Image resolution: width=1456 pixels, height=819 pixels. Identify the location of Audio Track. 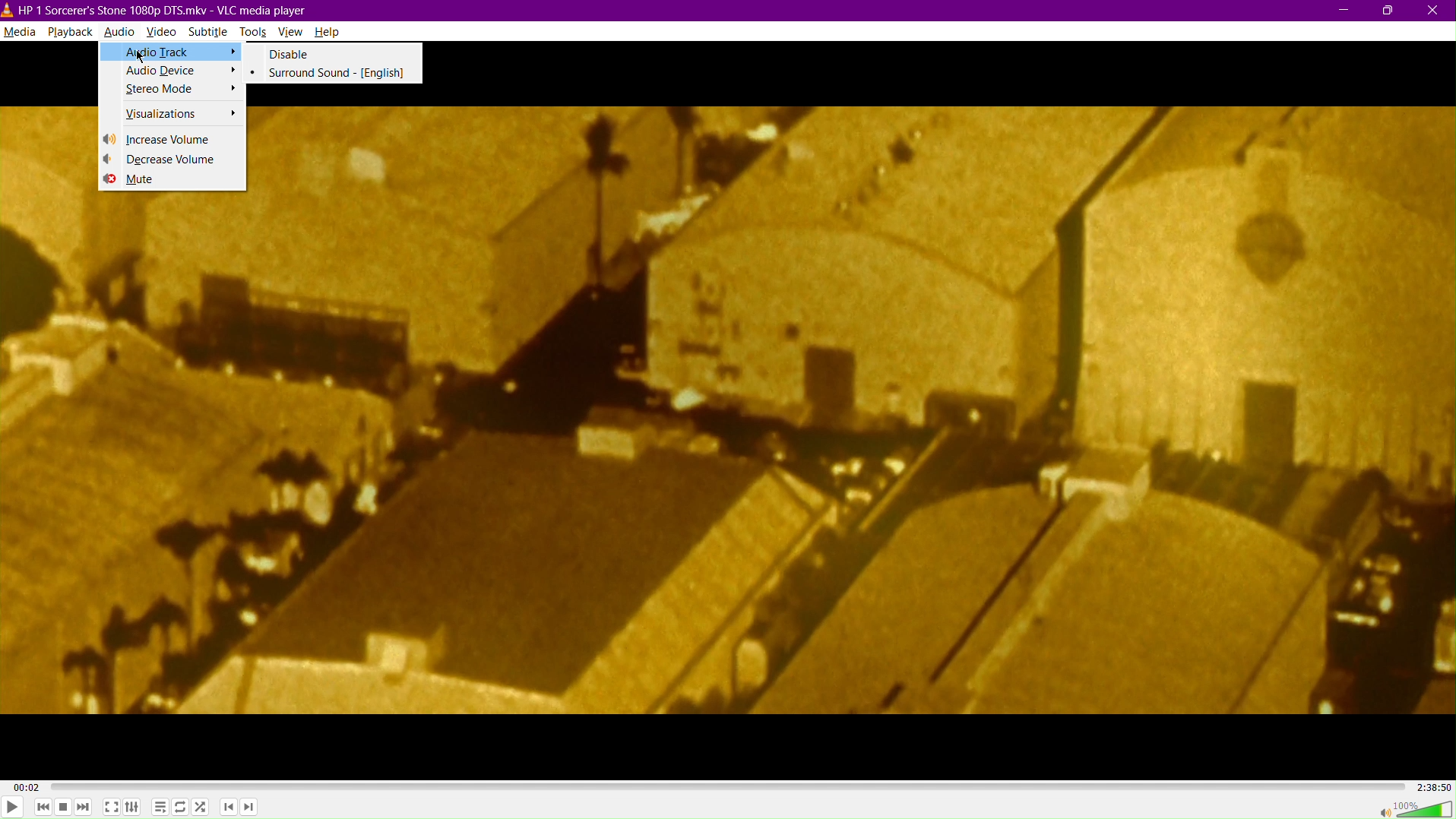
(172, 52).